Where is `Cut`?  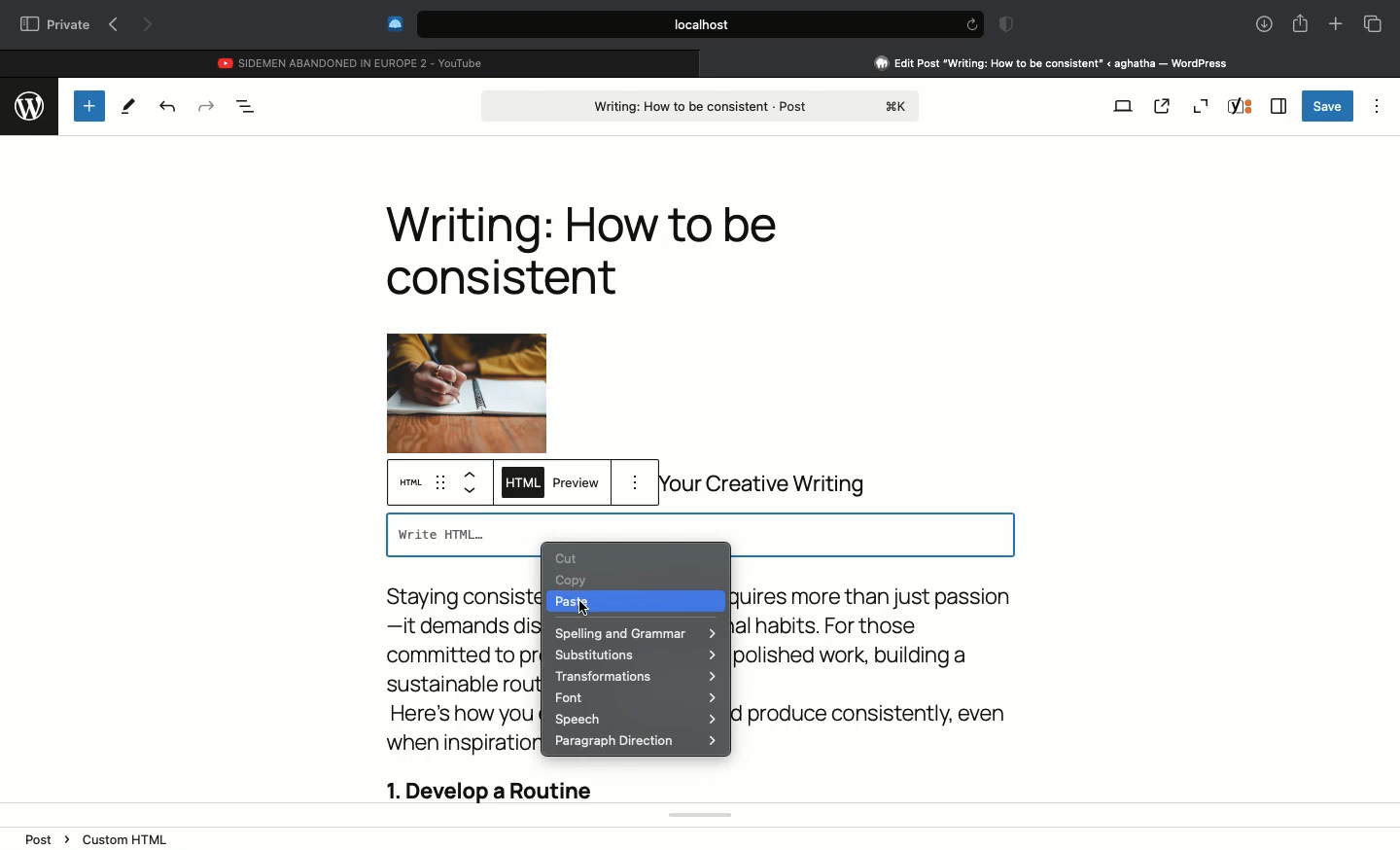
Cut is located at coordinates (571, 558).